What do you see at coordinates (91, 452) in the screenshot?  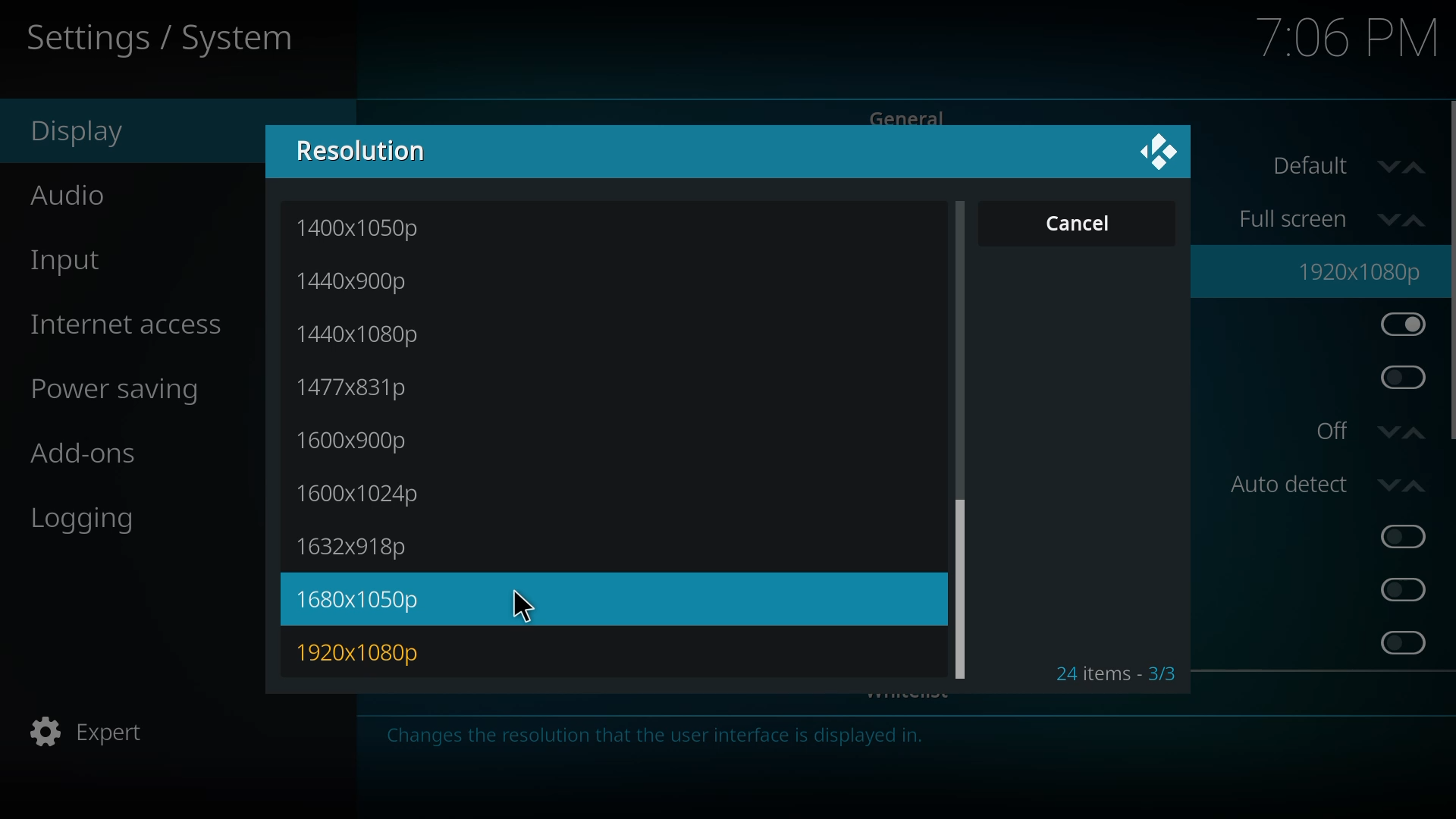 I see `add-ons` at bounding box center [91, 452].